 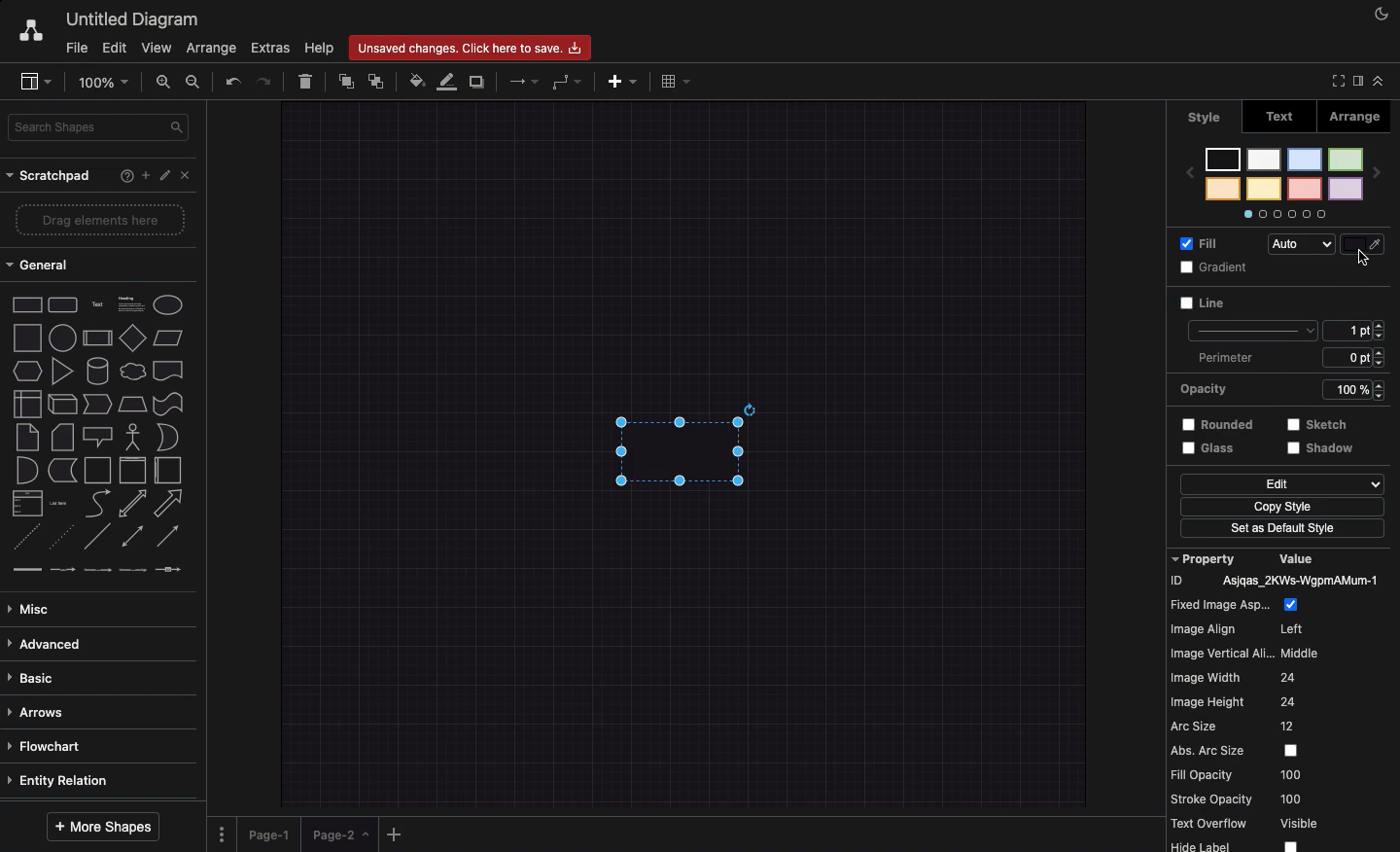 I want to click on Night mode, so click(x=1382, y=15).